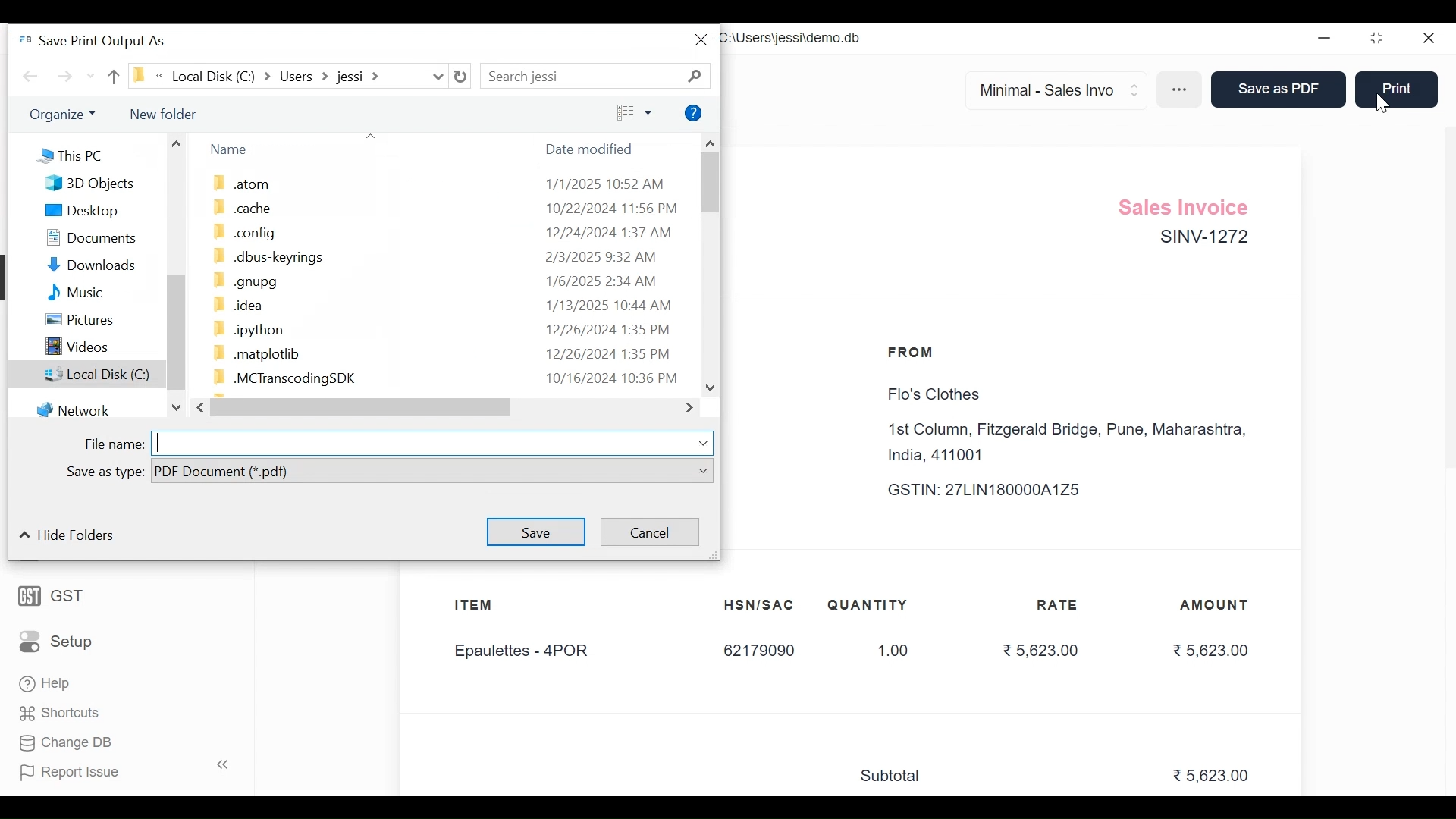 The height and width of the screenshot is (819, 1456). I want to click on Minimize, so click(1325, 39).